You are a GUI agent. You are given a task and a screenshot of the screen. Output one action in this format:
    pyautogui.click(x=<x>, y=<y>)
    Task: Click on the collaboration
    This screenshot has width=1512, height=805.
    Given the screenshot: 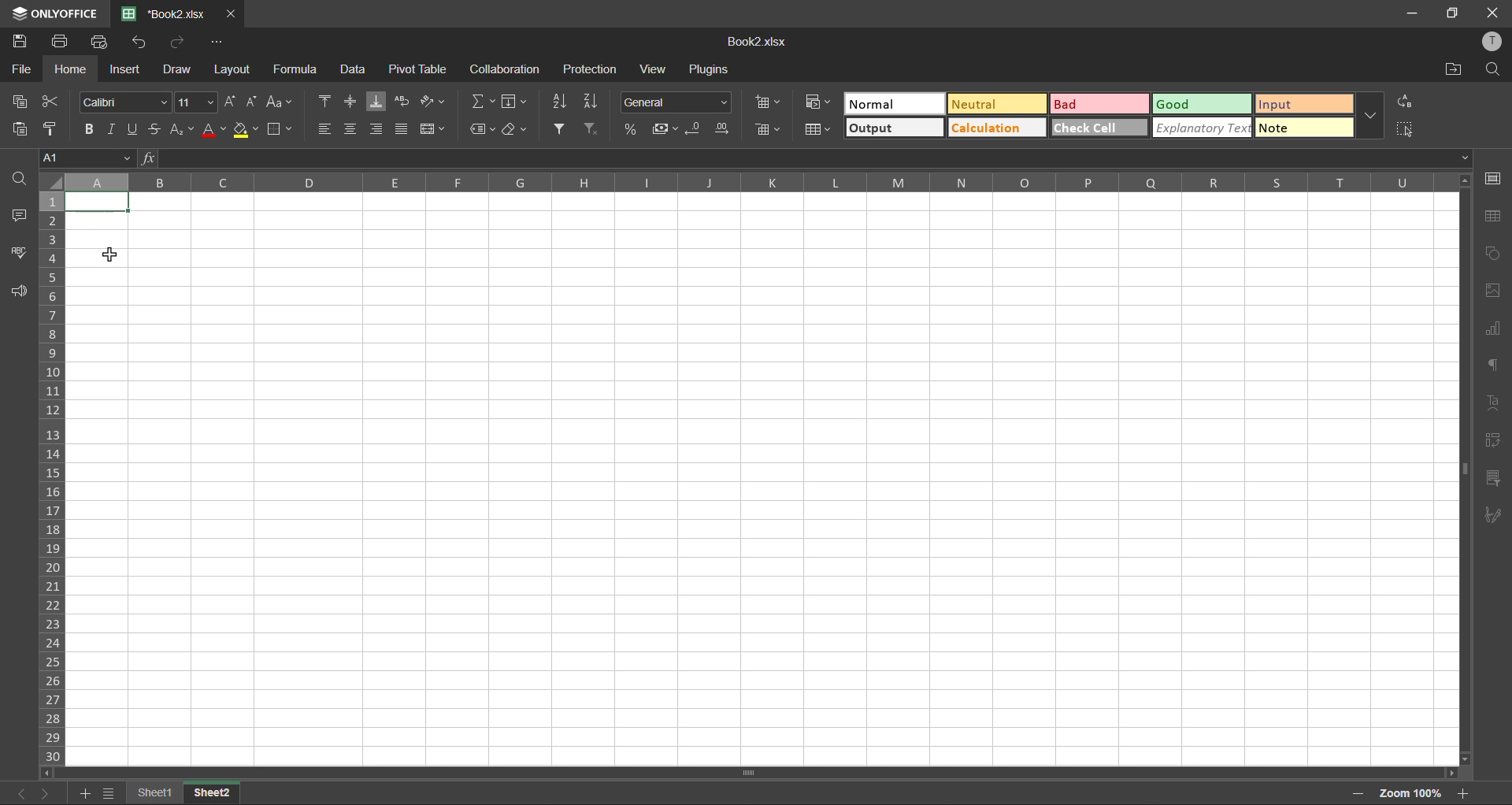 What is the action you would take?
    pyautogui.click(x=505, y=72)
    